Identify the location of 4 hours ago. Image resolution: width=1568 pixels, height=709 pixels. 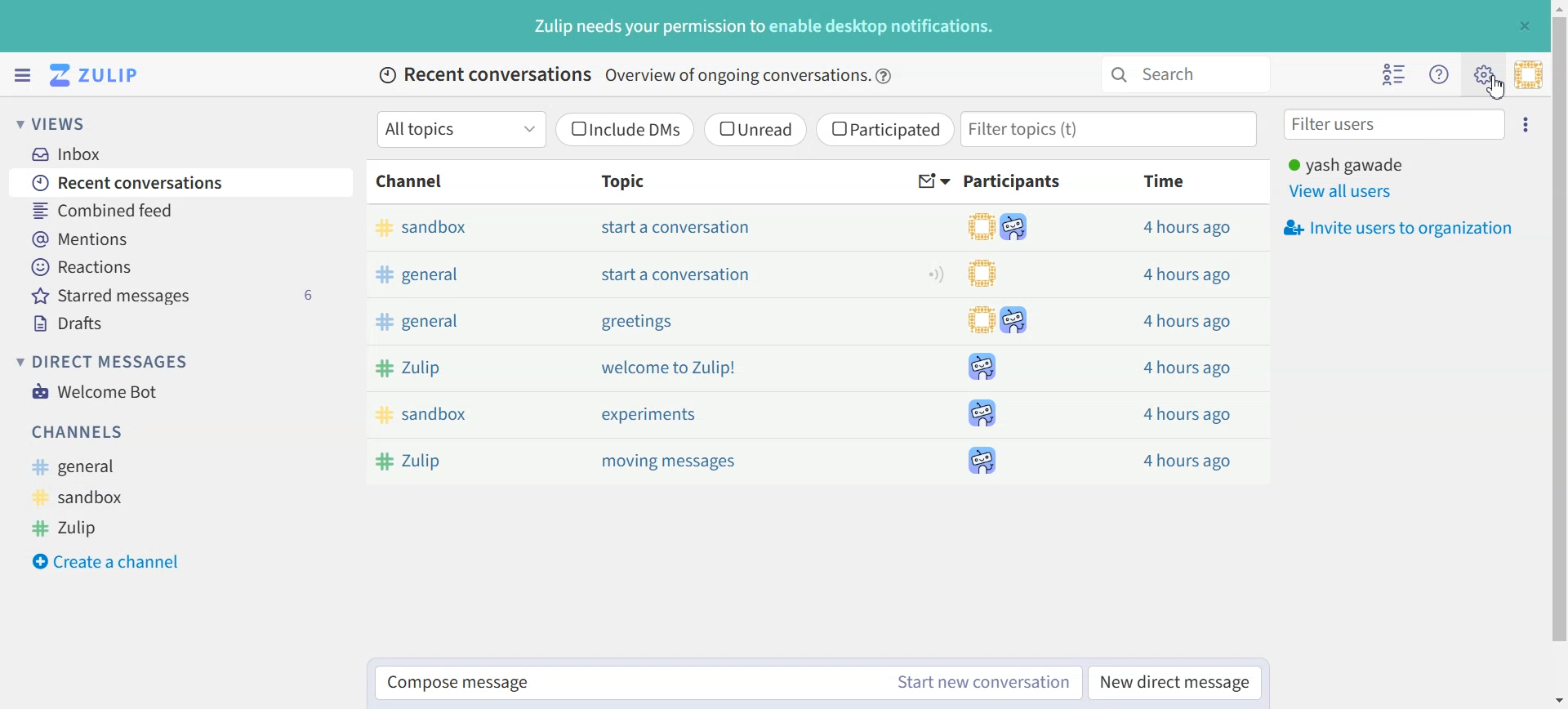
(1188, 228).